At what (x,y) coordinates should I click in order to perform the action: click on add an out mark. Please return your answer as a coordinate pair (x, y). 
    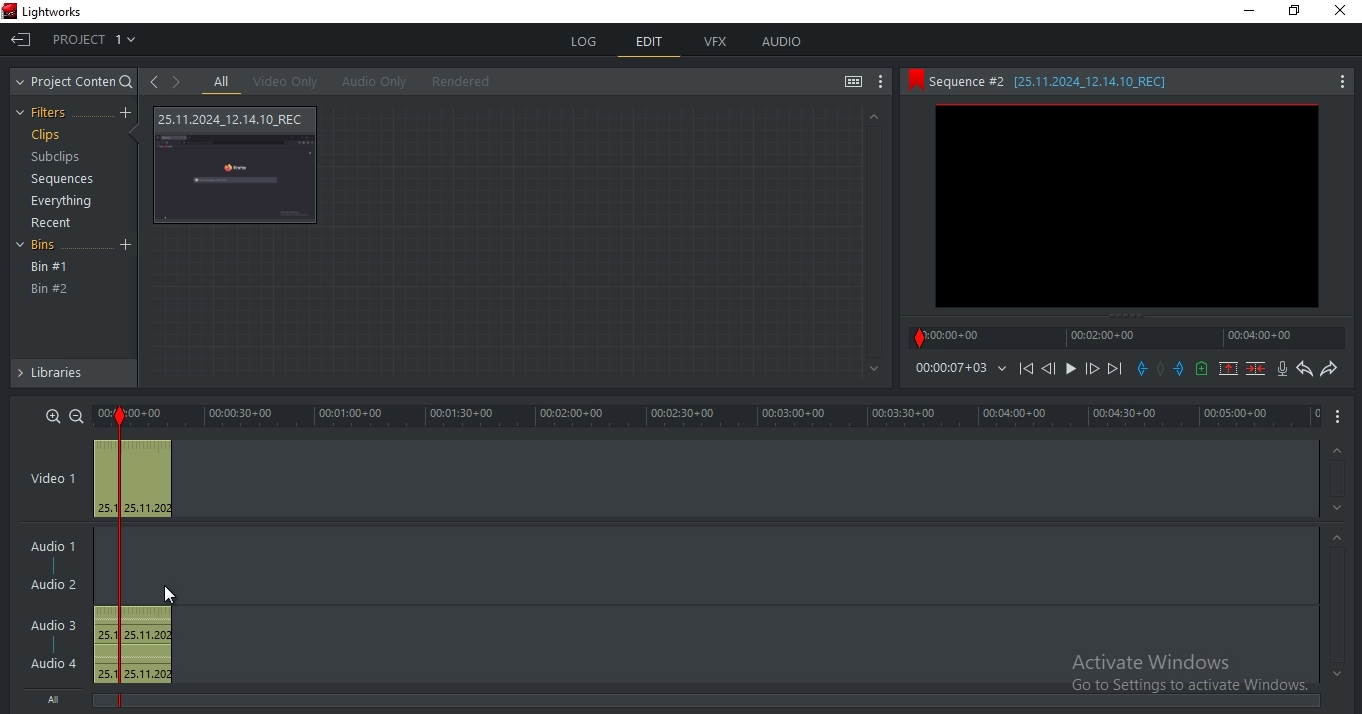
    Looking at the image, I should click on (1180, 369).